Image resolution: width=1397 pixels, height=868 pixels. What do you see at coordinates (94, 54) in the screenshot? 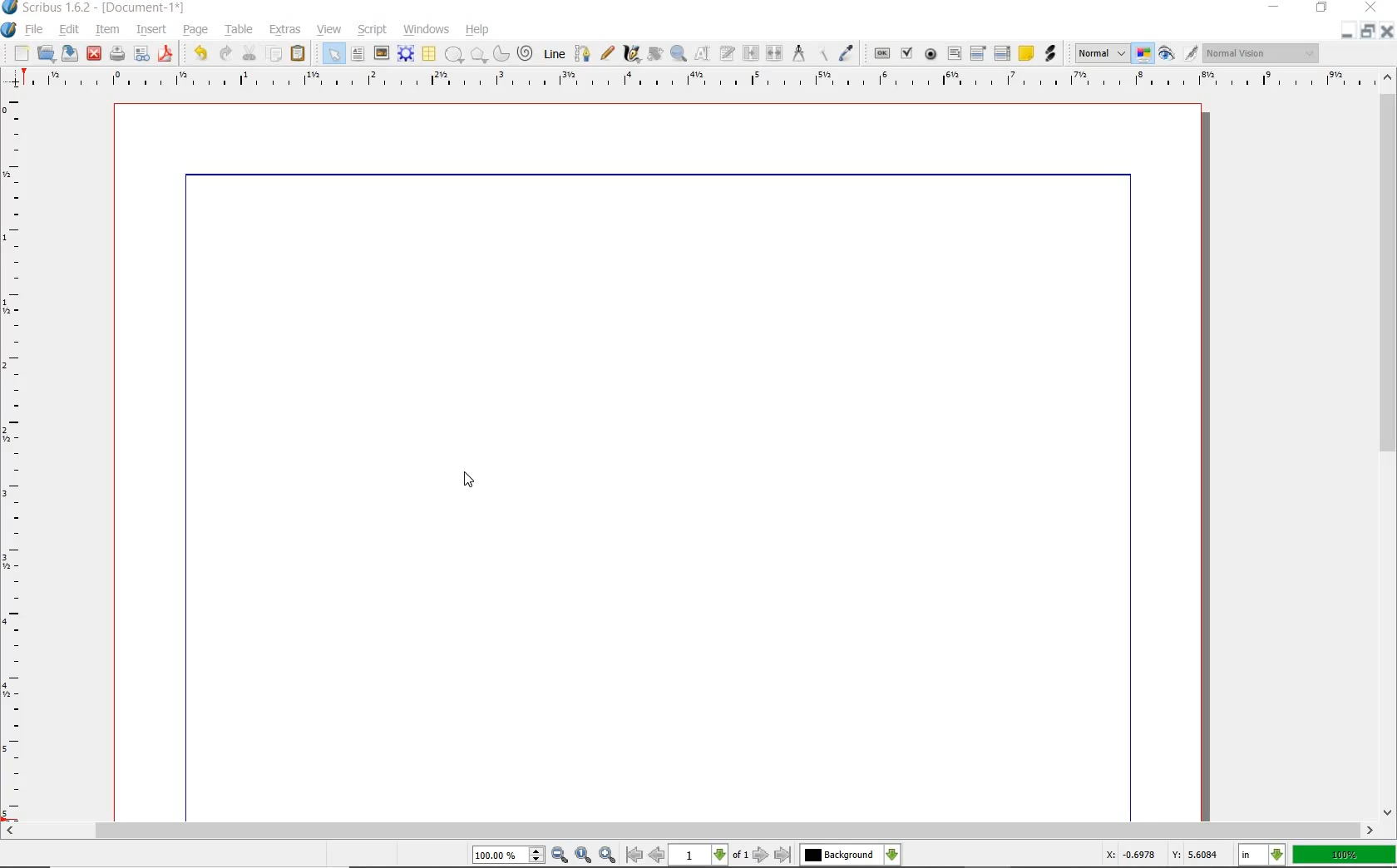
I see `CLOSE` at bounding box center [94, 54].